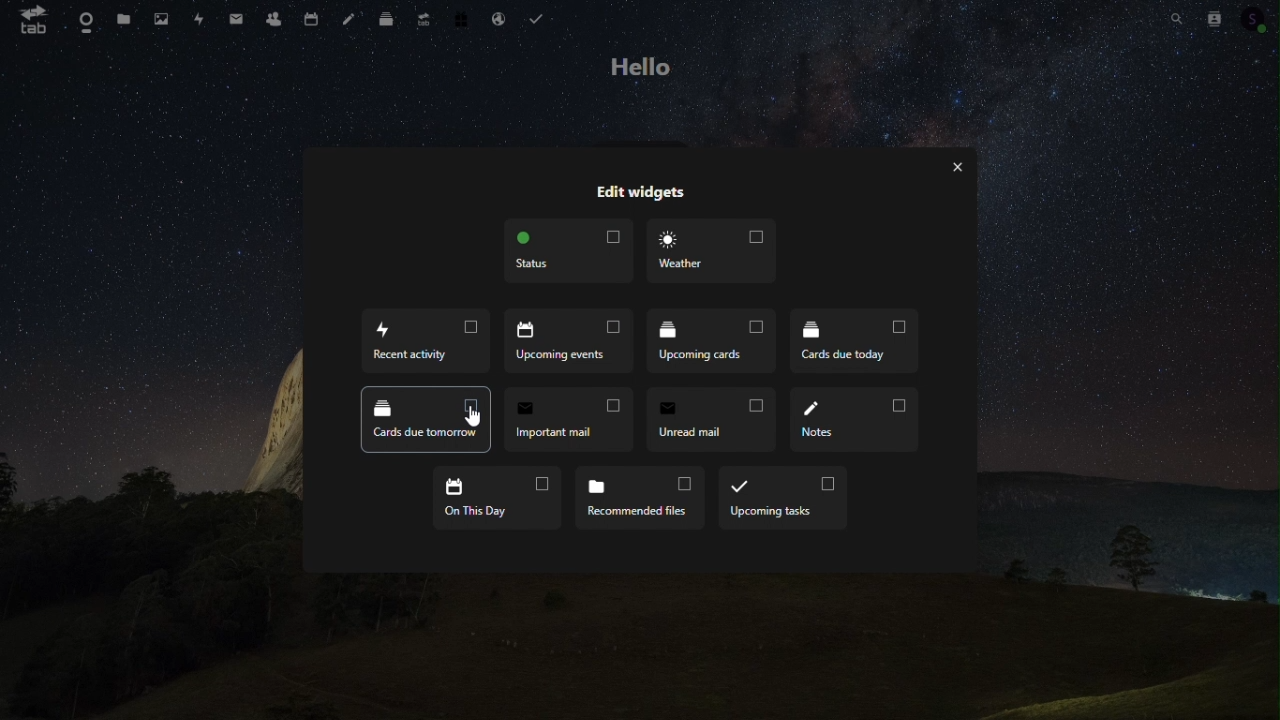 The width and height of the screenshot is (1280, 720). I want to click on Upcoming tasks, so click(783, 499).